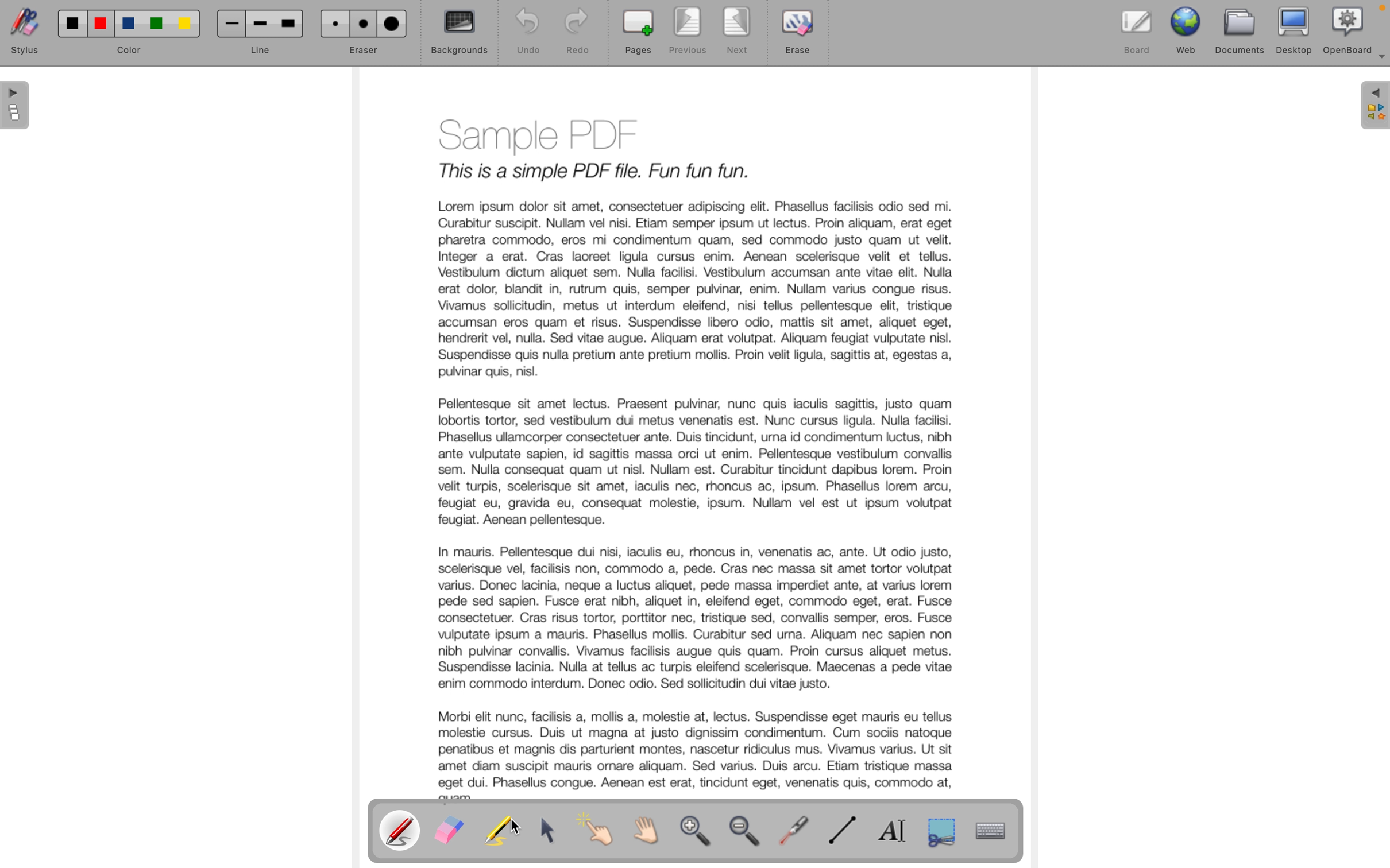 Image resolution: width=1390 pixels, height=868 pixels. Describe the element at coordinates (1241, 30) in the screenshot. I see `documents` at that location.